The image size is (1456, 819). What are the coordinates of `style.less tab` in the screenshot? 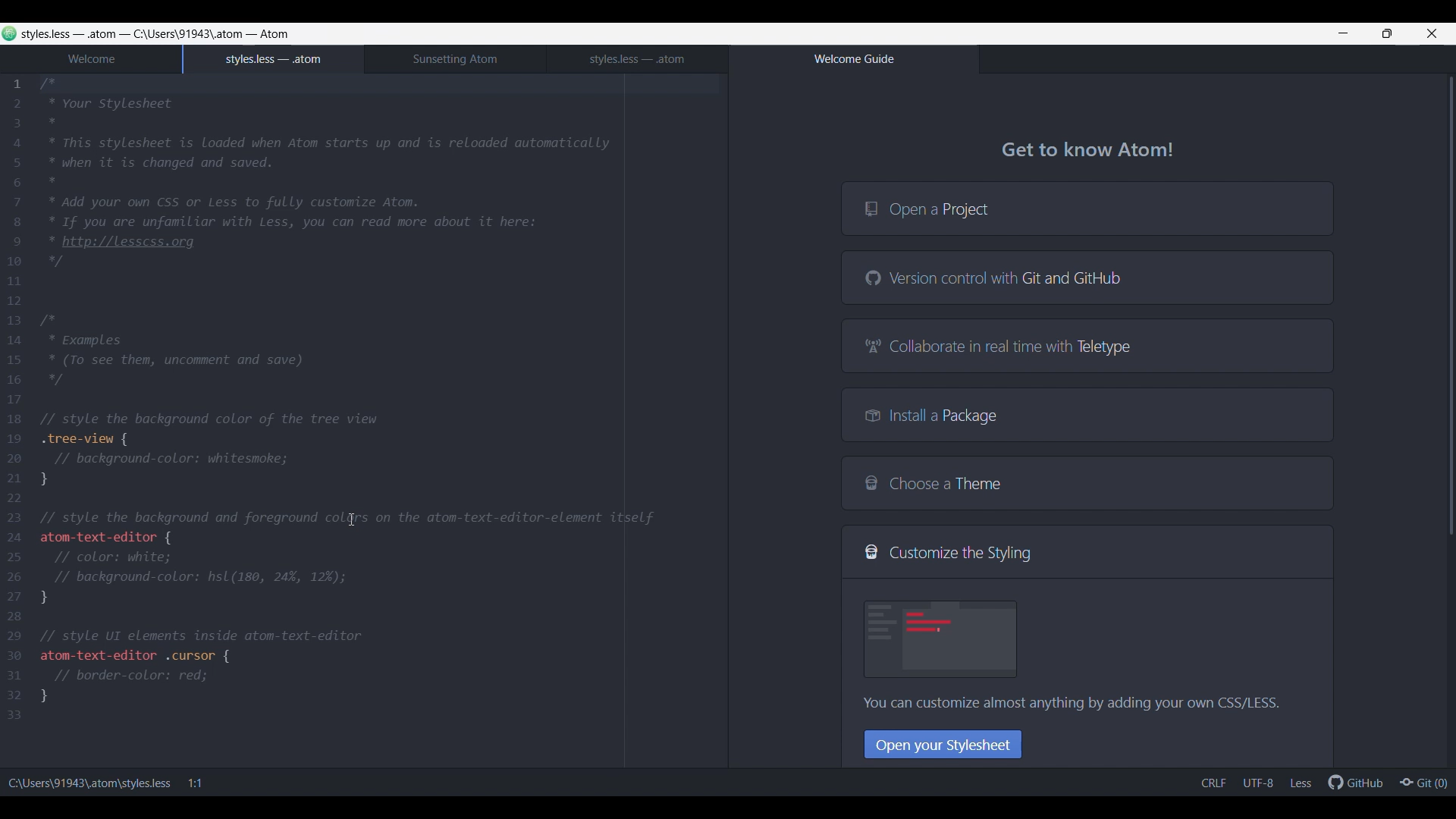 It's located at (637, 59).